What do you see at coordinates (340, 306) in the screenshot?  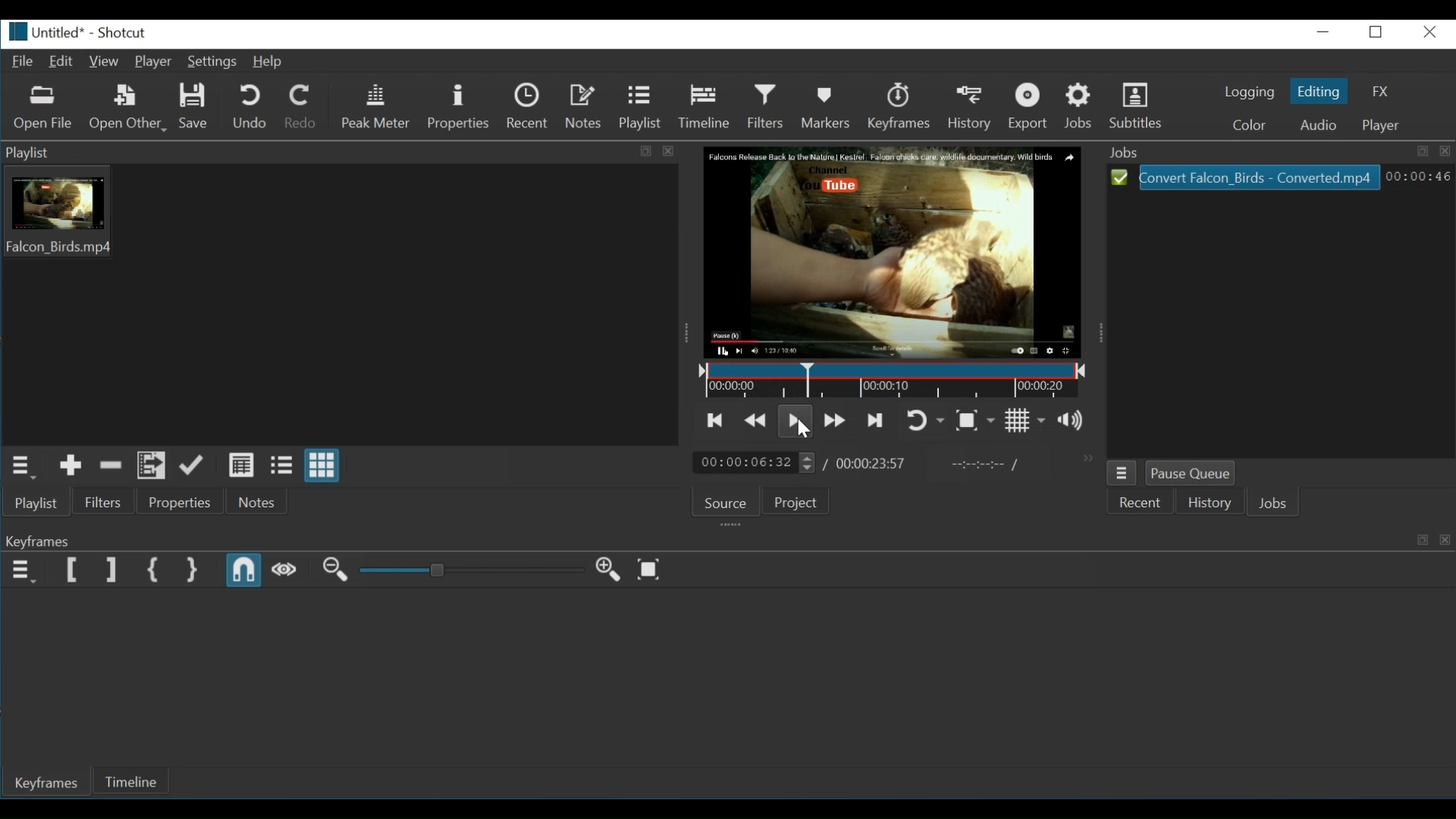 I see `Playlist thumbnail` at bounding box center [340, 306].